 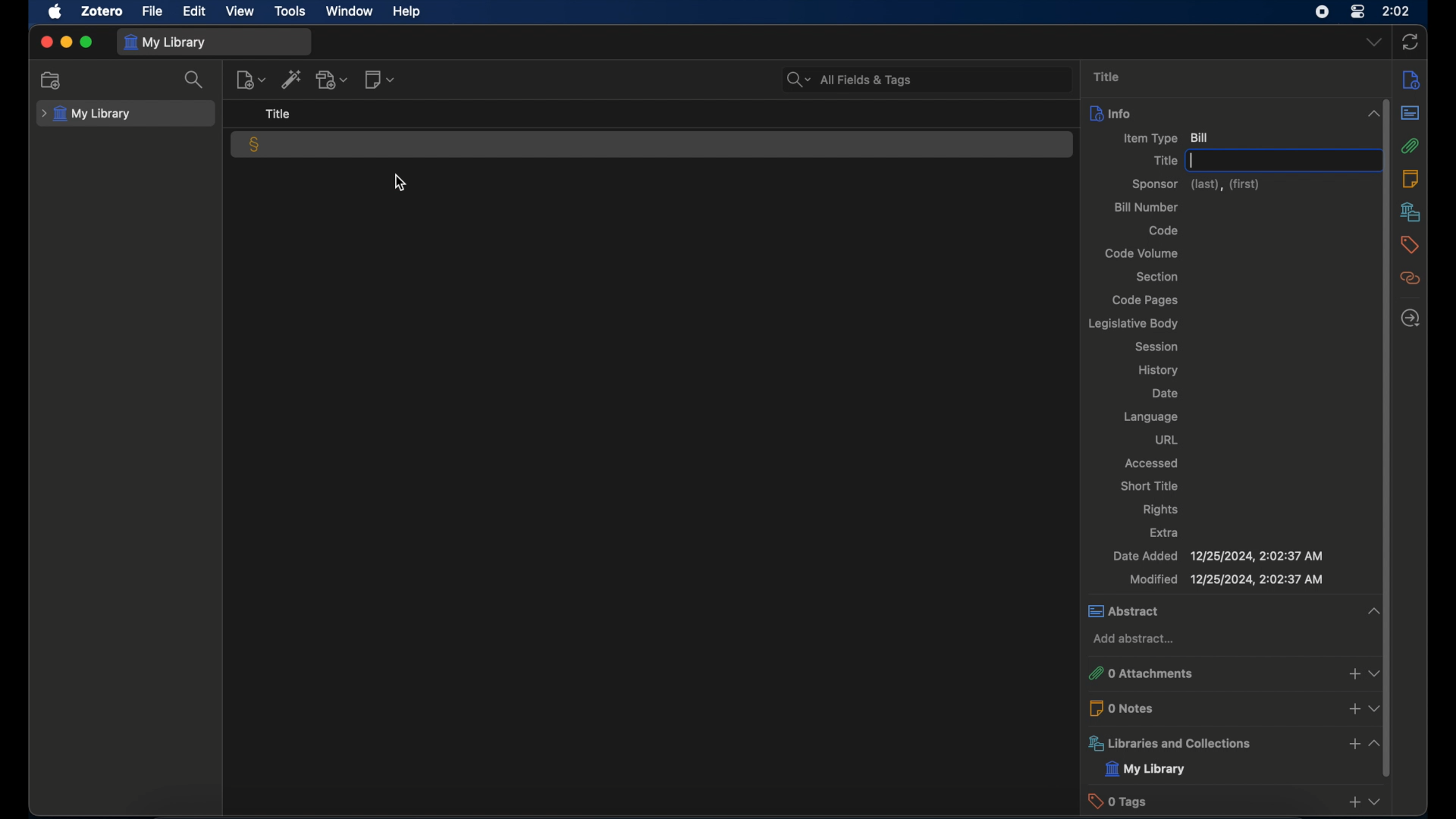 What do you see at coordinates (1166, 394) in the screenshot?
I see `date` at bounding box center [1166, 394].